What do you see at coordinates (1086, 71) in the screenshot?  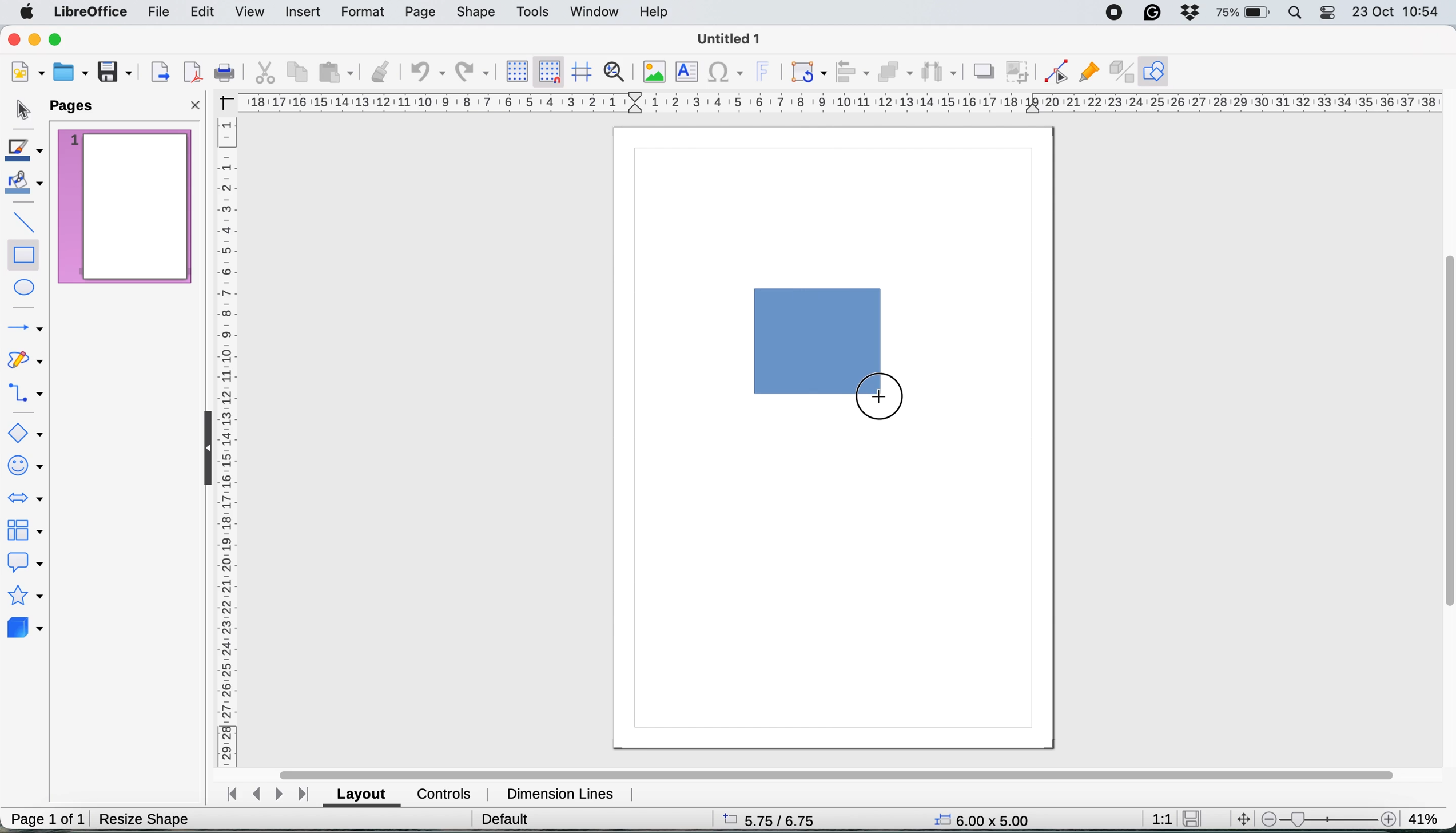 I see `show gluepoint functions` at bounding box center [1086, 71].